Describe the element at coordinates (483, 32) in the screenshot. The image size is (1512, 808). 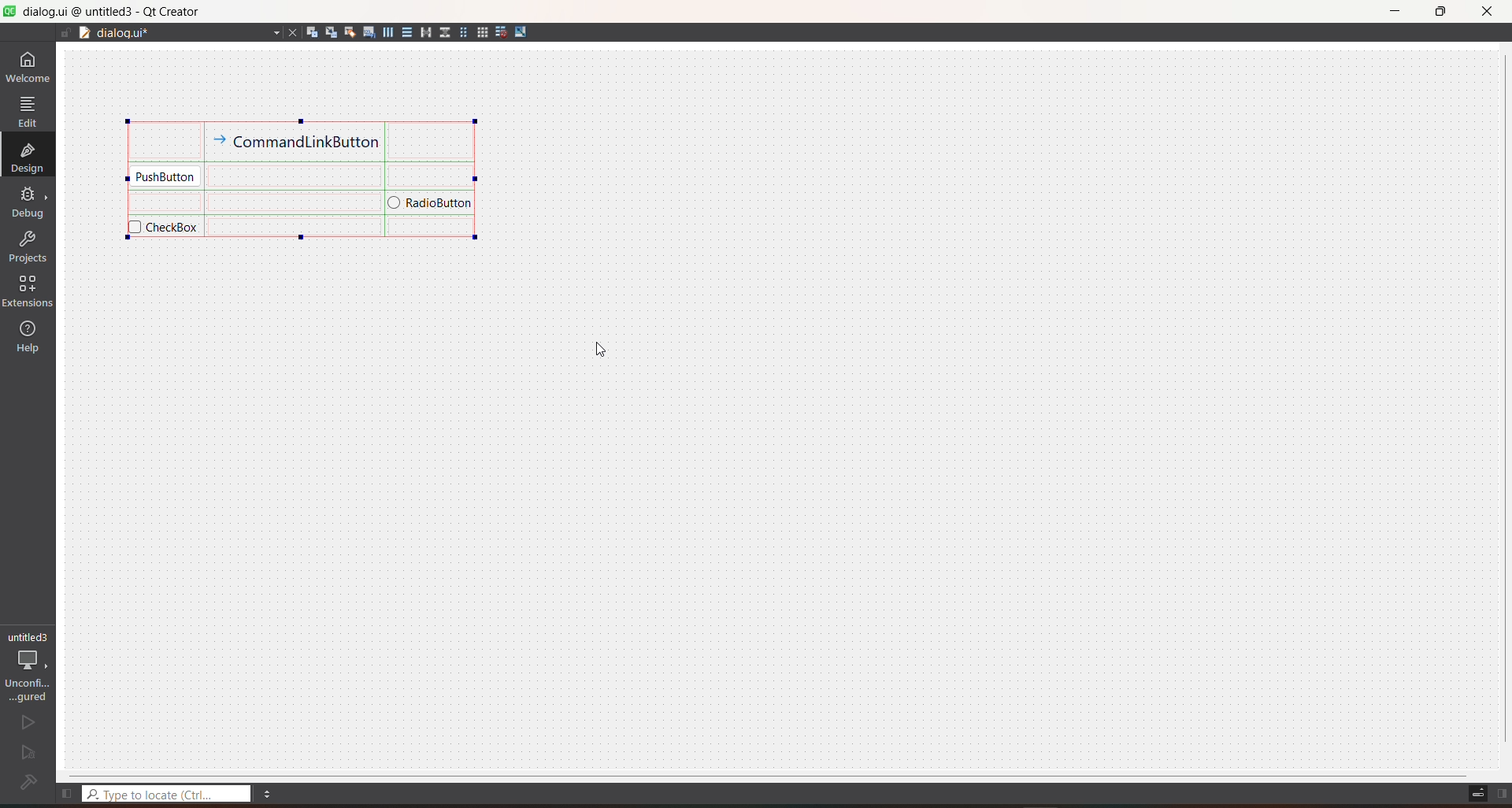
I see `layout in a grid` at that location.